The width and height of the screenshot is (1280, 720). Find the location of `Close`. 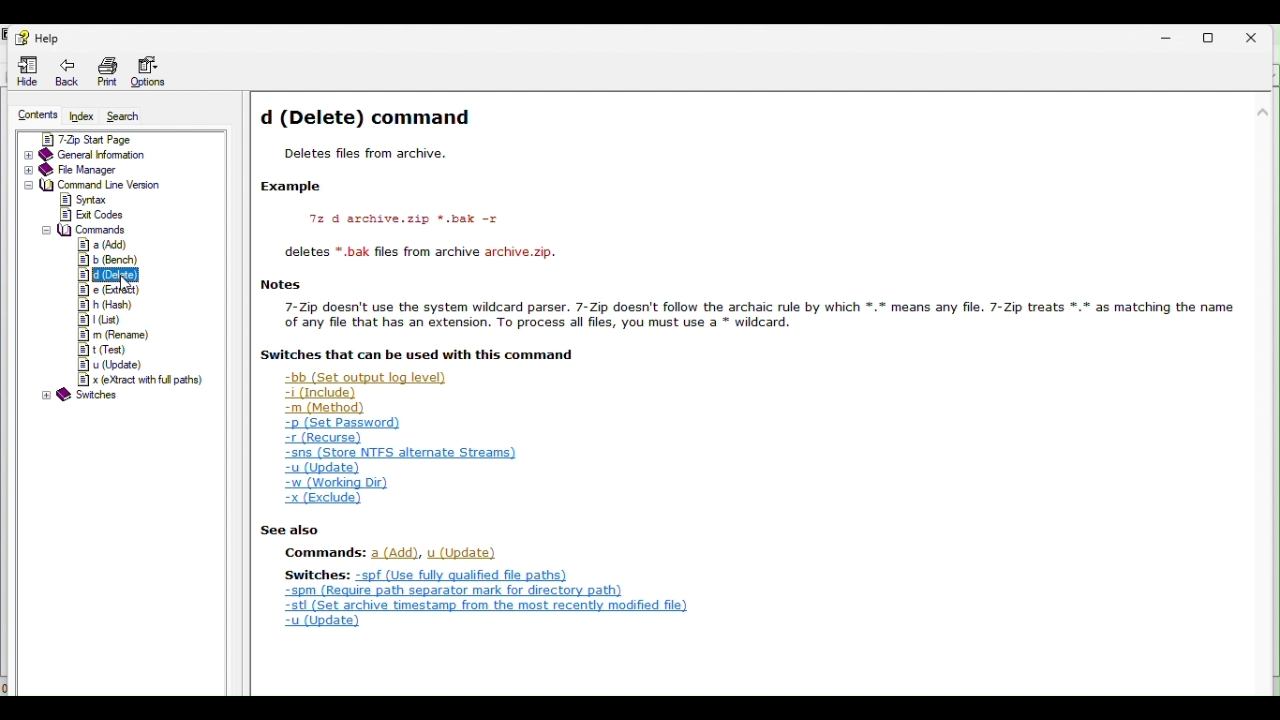

Close is located at coordinates (1262, 33).